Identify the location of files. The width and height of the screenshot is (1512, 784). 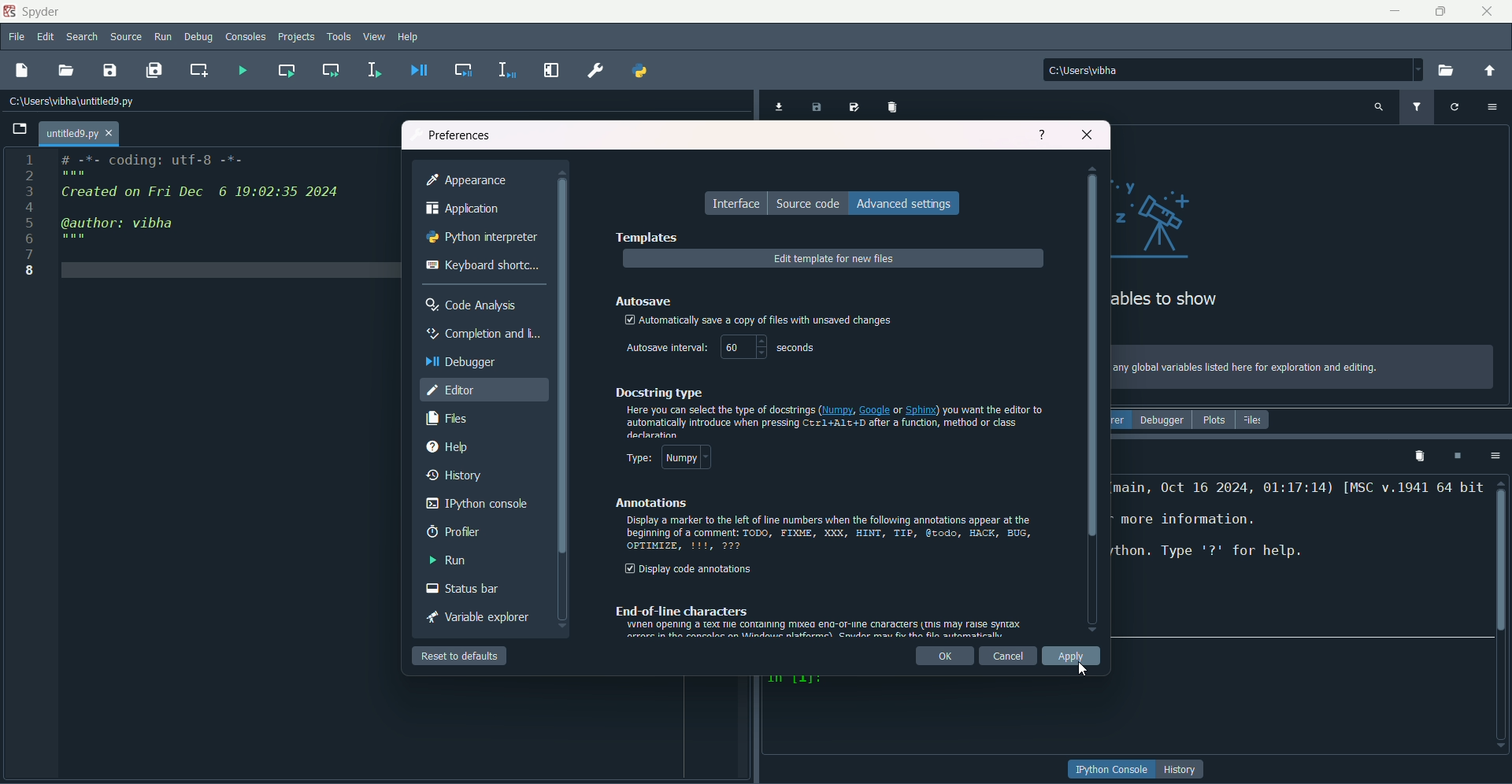
(1254, 420).